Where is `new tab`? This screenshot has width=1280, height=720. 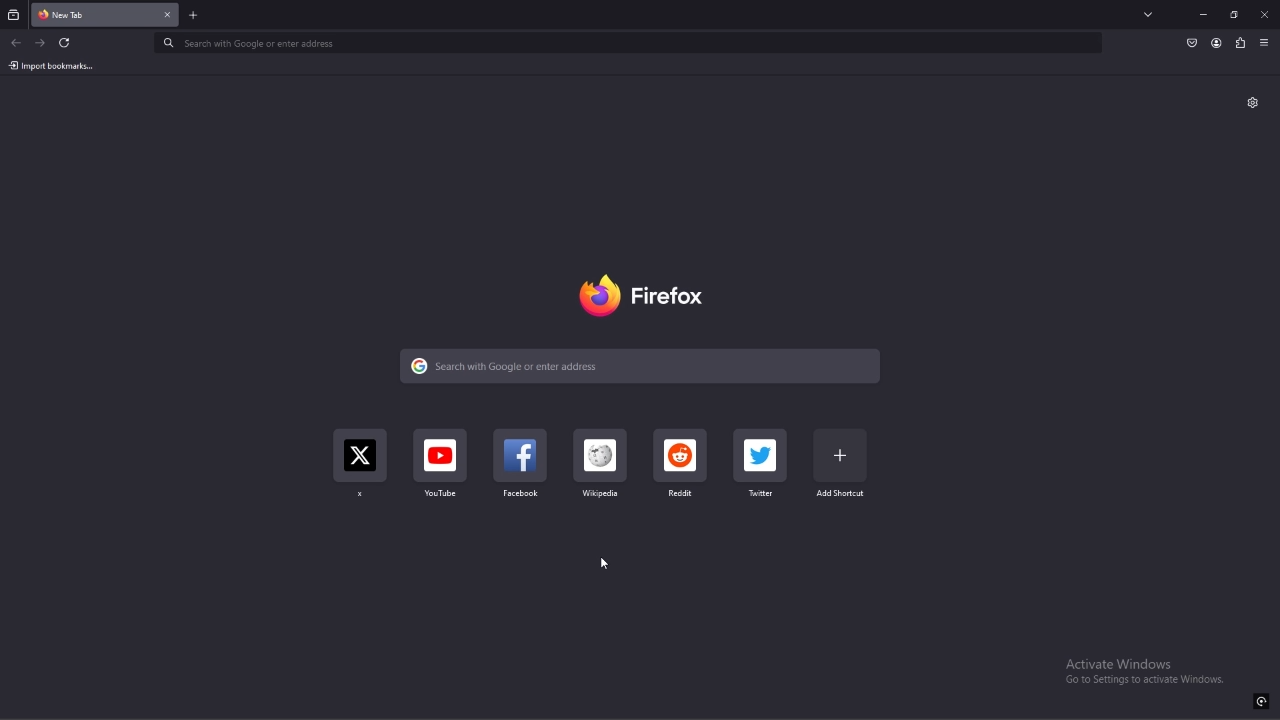
new tab is located at coordinates (194, 16).